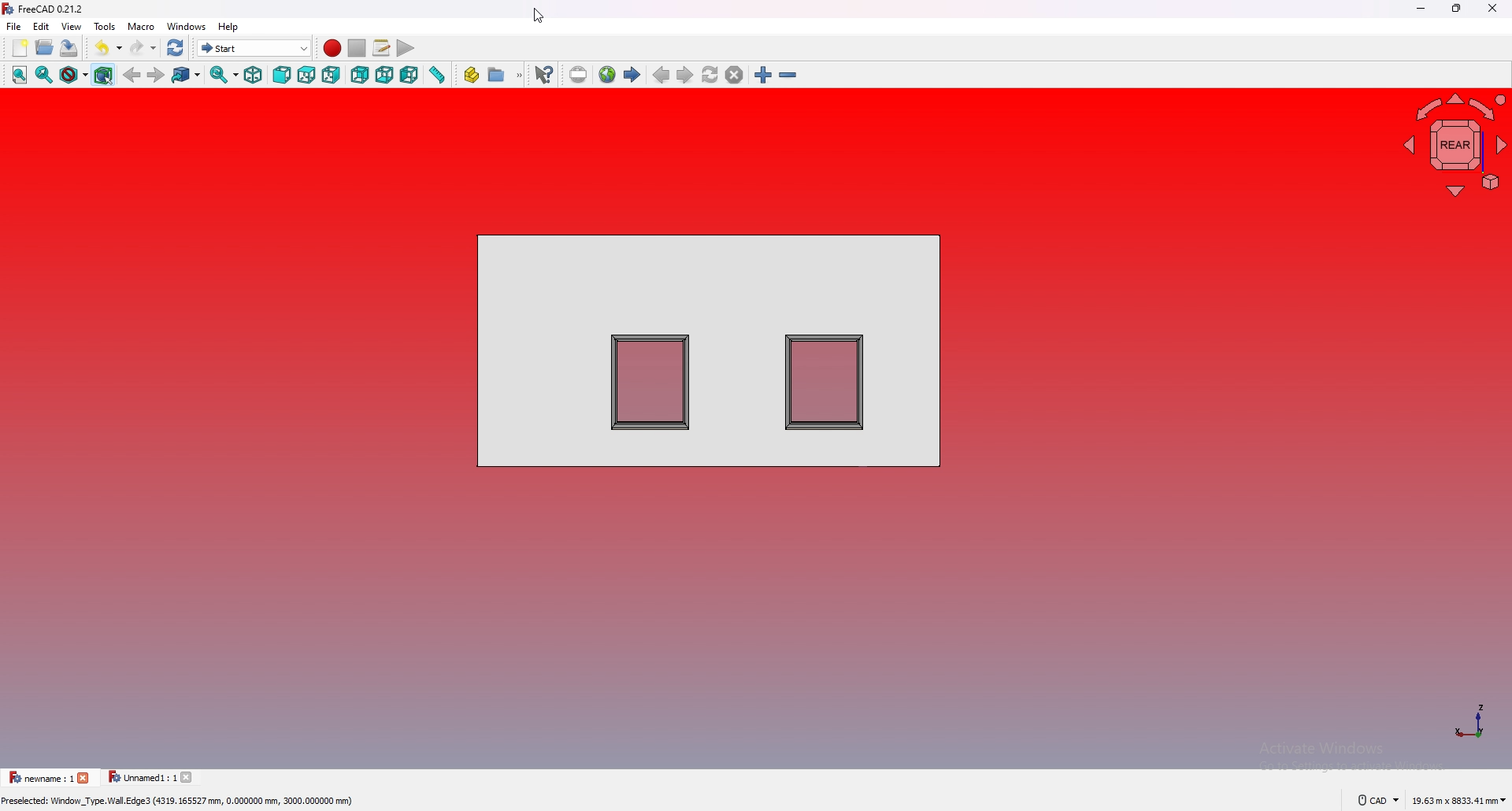 This screenshot has height=811, width=1512. What do you see at coordinates (1377, 801) in the screenshot?
I see `cad navigation` at bounding box center [1377, 801].